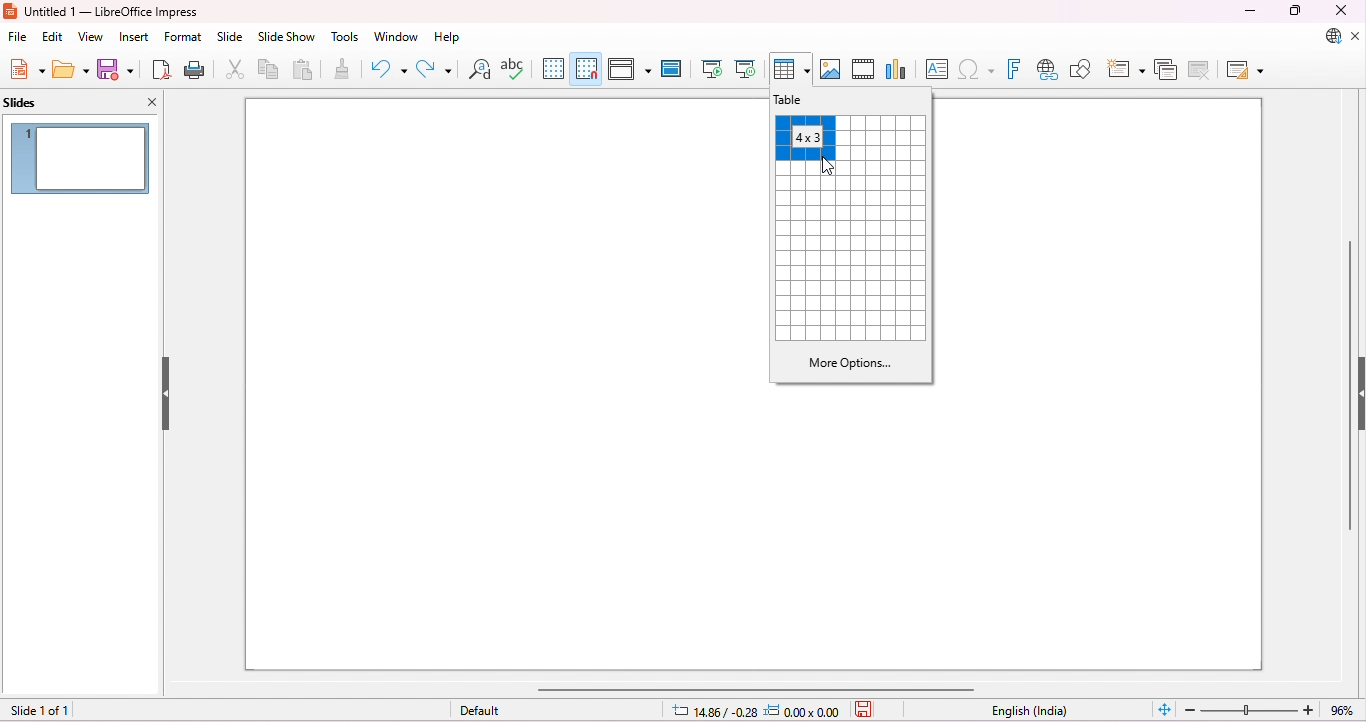 The height and width of the screenshot is (722, 1366). What do you see at coordinates (632, 69) in the screenshot?
I see `display views` at bounding box center [632, 69].